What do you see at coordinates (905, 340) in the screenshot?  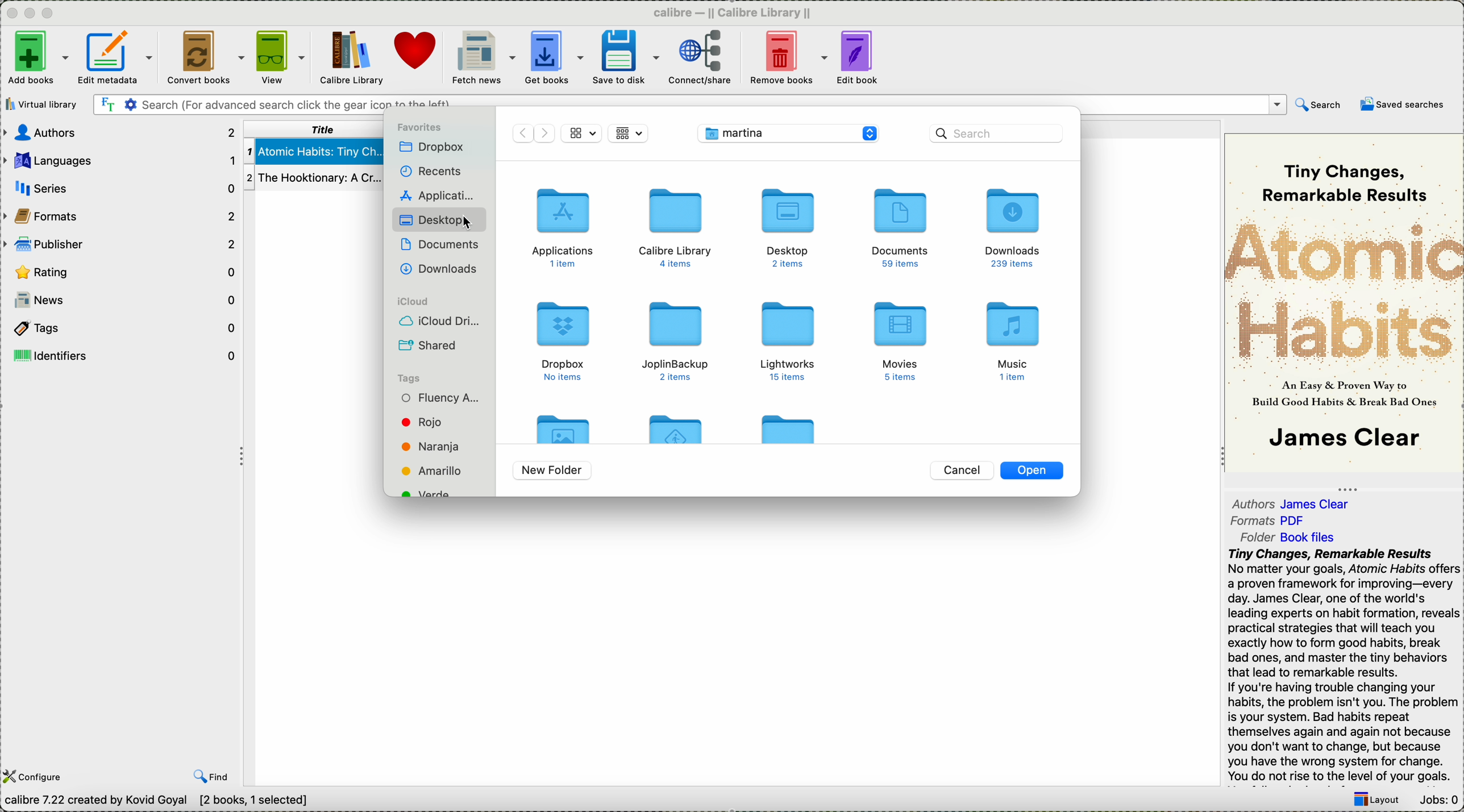 I see `movies` at bounding box center [905, 340].